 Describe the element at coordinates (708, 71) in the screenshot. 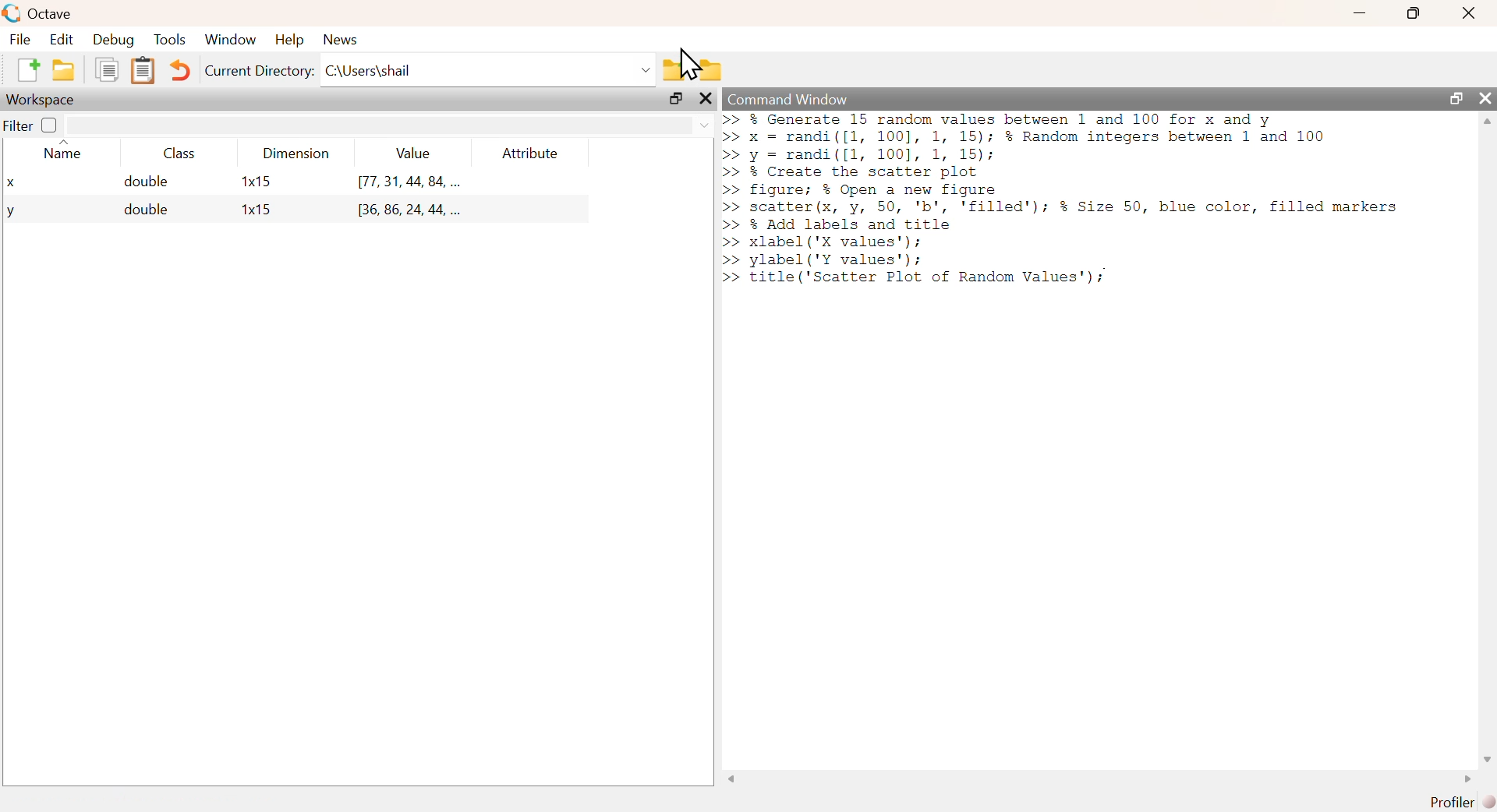

I see `Folder` at that location.